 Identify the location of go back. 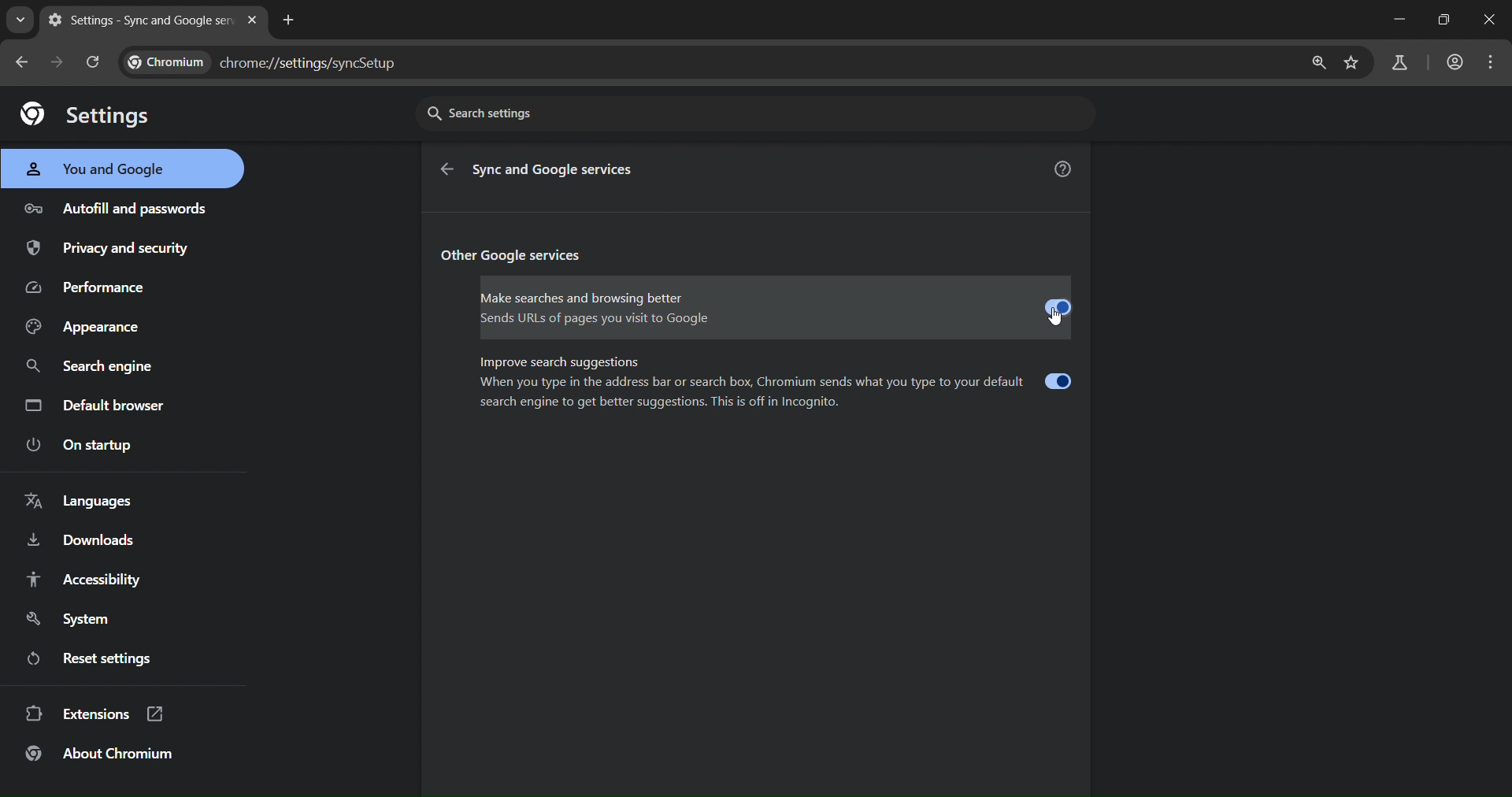
(450, 172).